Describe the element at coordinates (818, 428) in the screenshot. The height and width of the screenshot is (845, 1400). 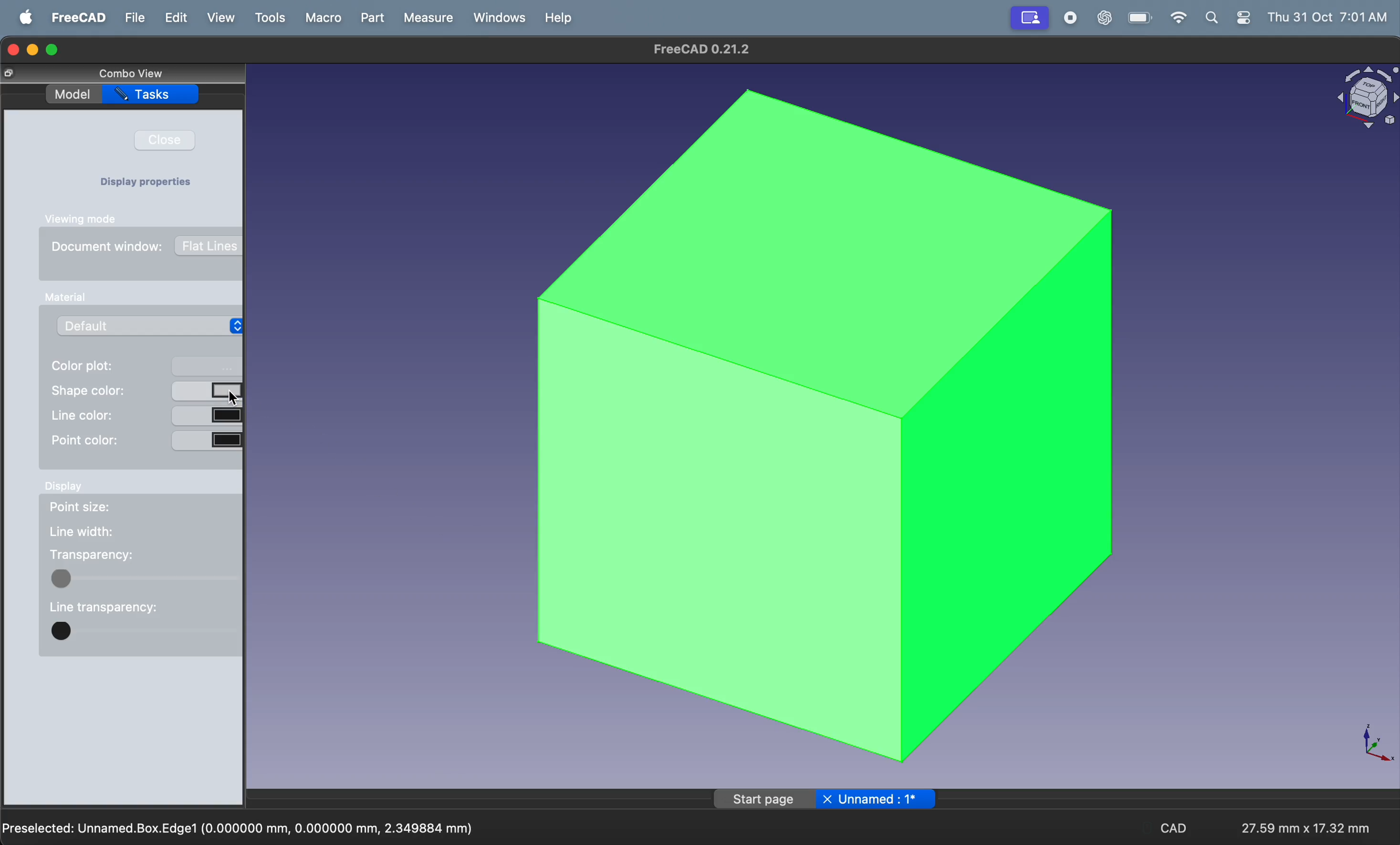
I see `box` at that location.